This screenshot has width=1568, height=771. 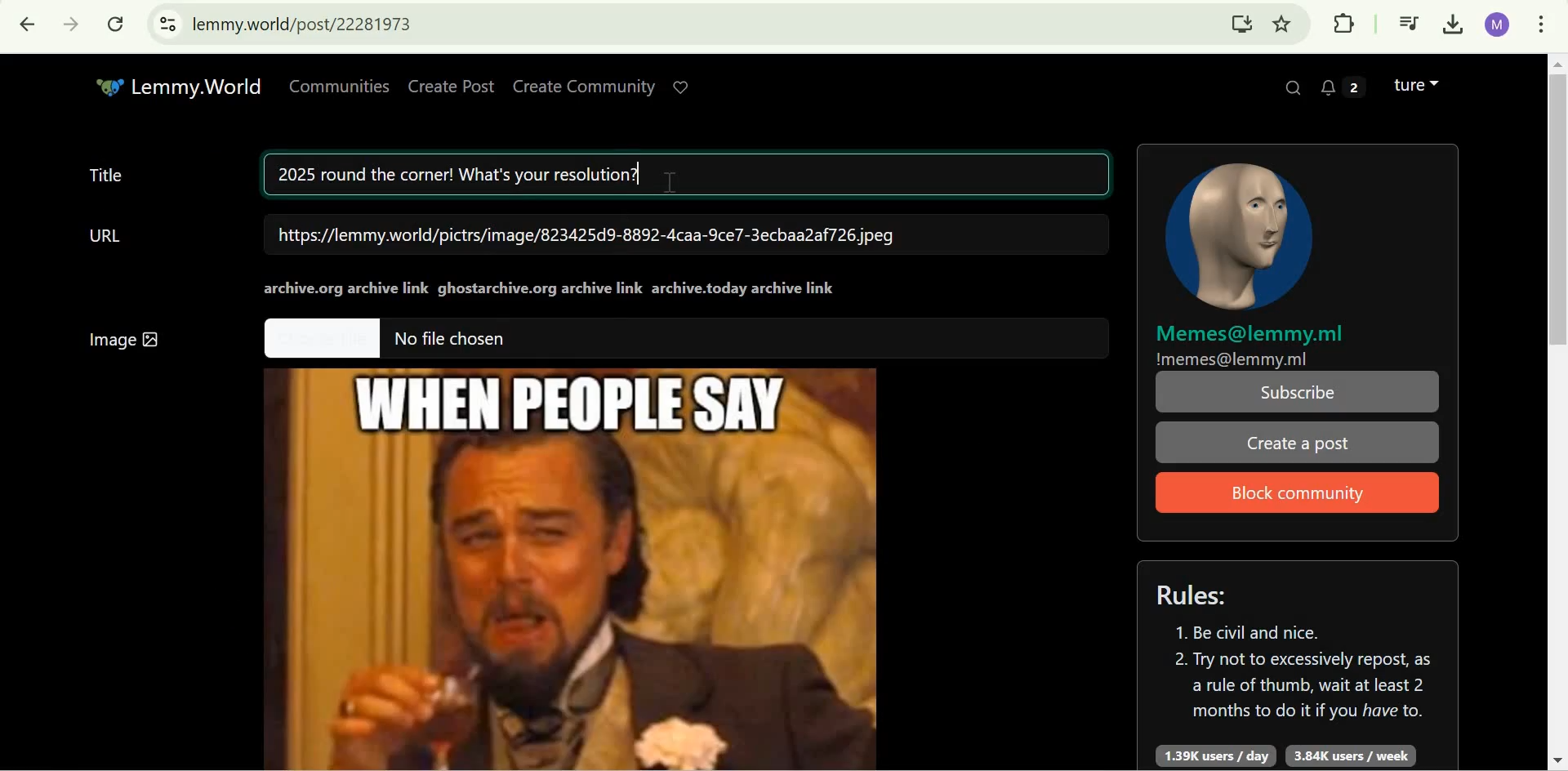 I want to click on Title, so click(x=105, y=173).